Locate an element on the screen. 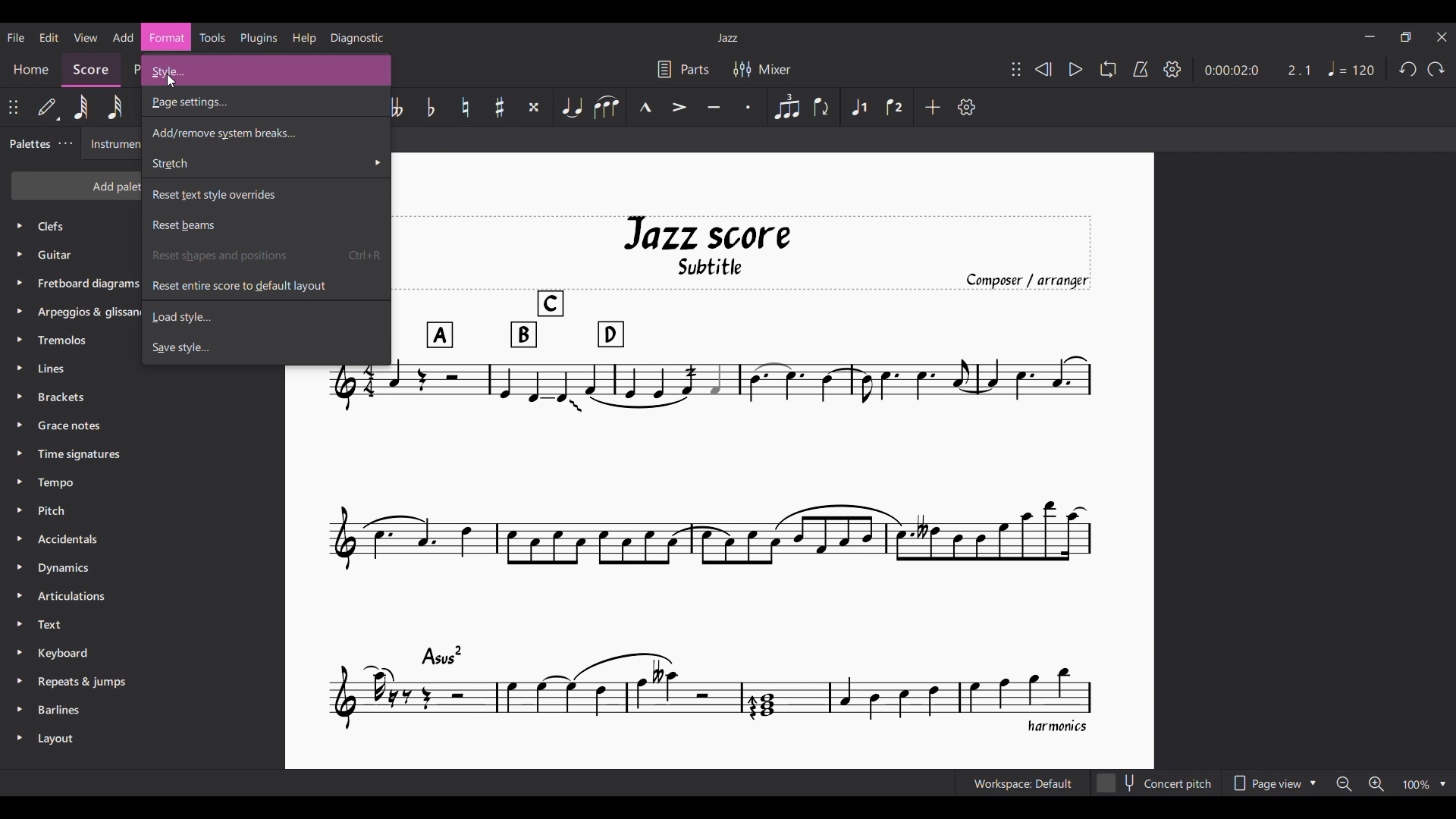  Redo is located at coordinates (1435, 69).